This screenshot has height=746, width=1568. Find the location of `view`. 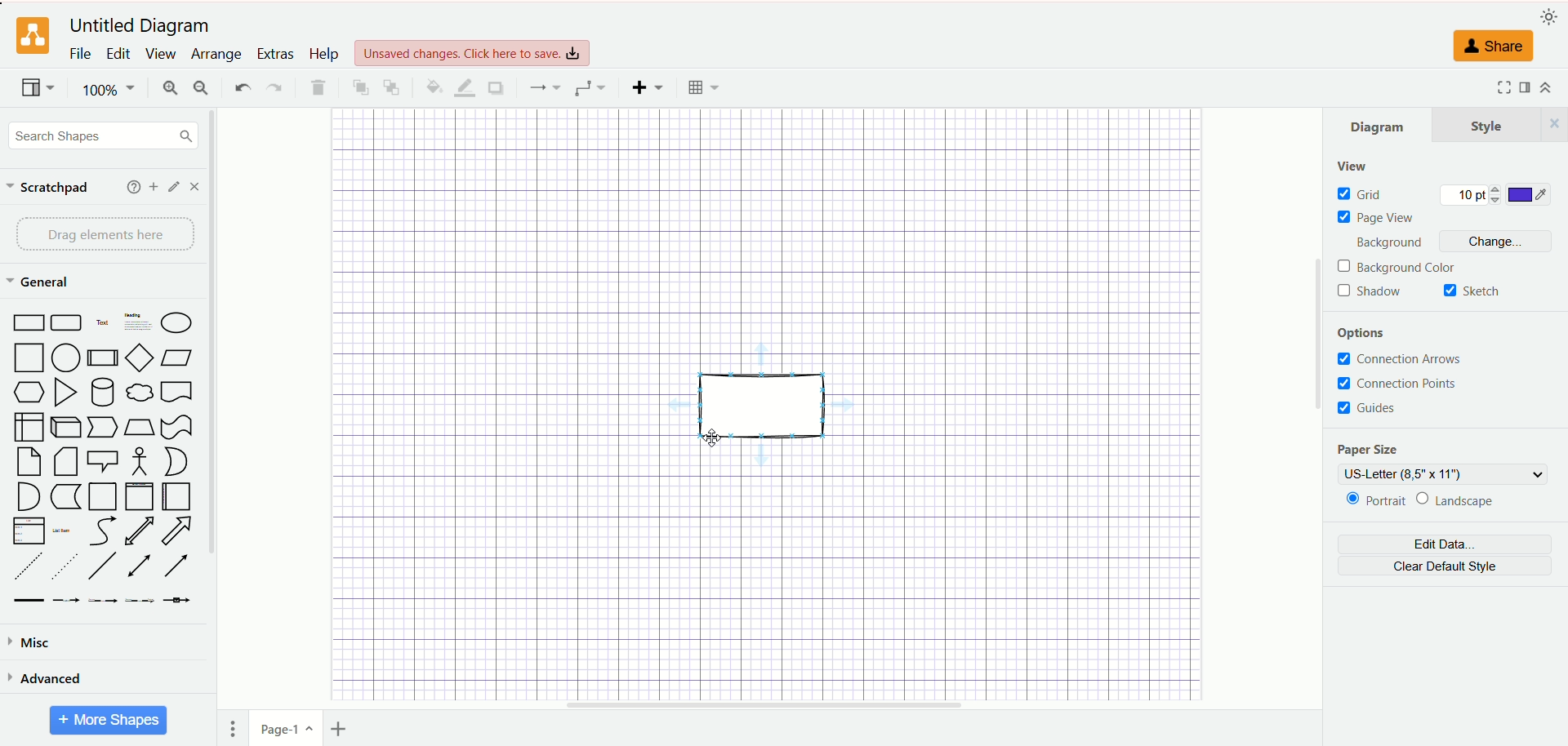

view is located at coordinates (34, 87).